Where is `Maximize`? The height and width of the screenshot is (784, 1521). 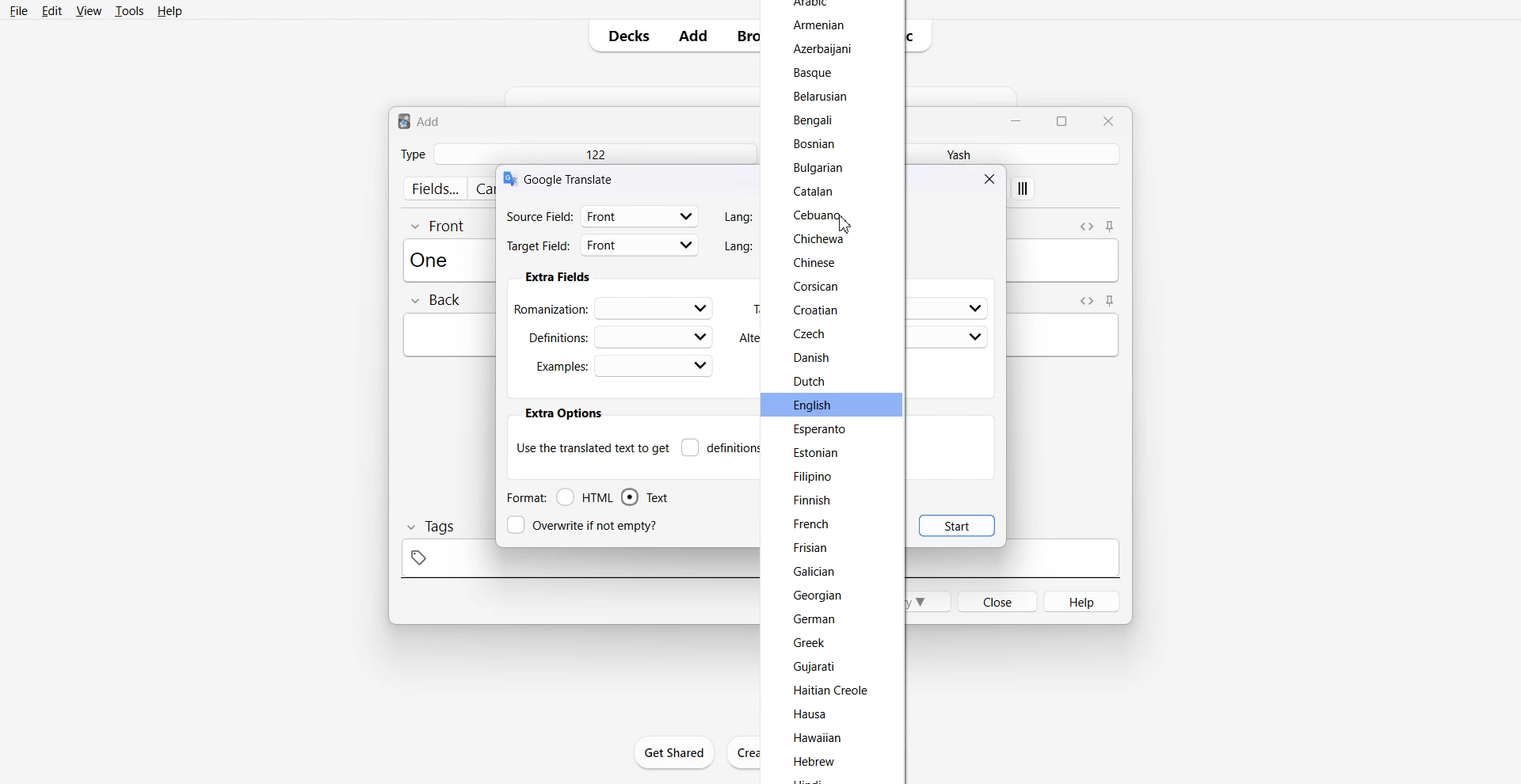 Maximize is located at coordinates (1065, 120).